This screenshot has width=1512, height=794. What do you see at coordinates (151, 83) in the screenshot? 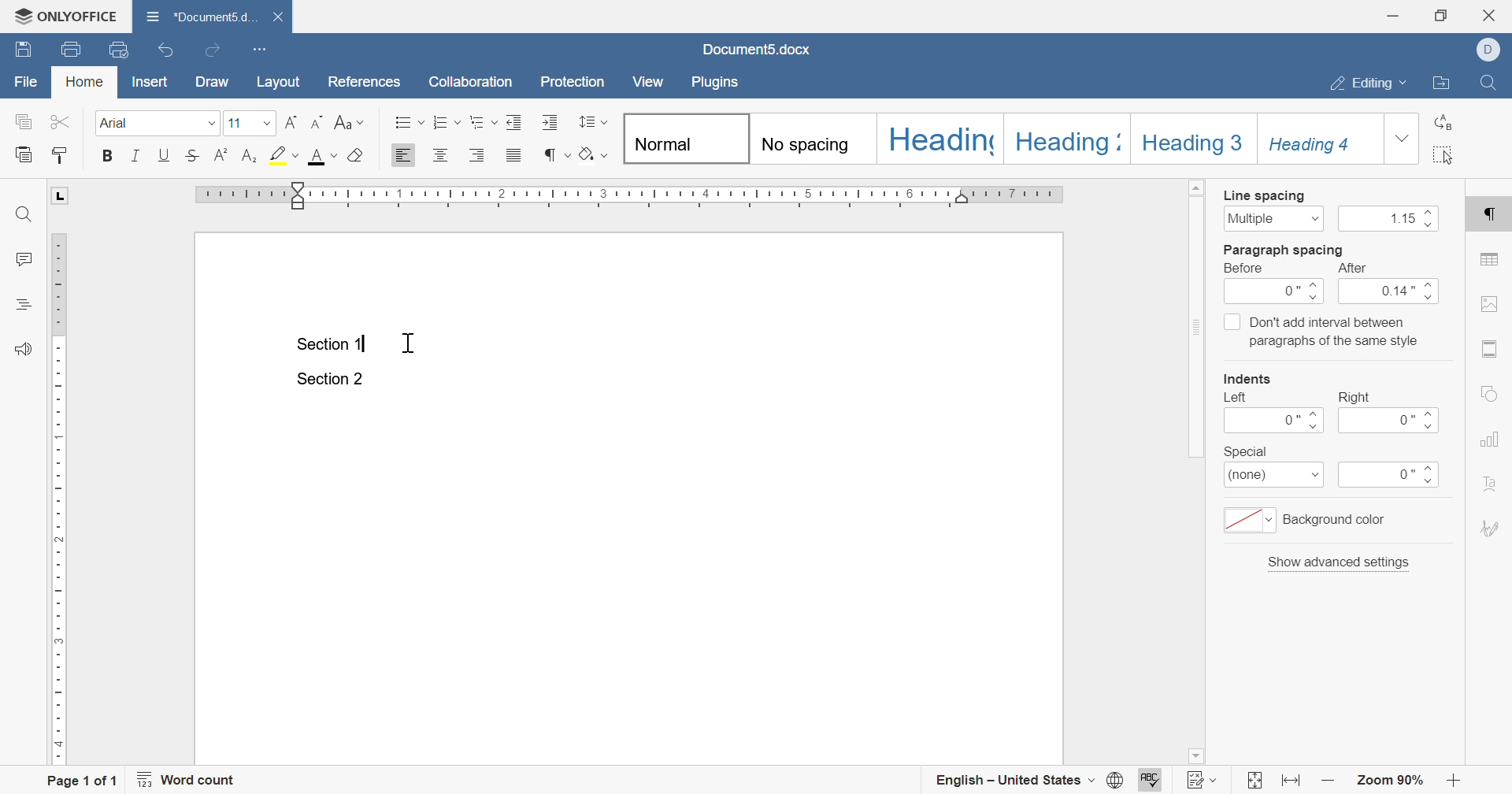
I see `insert` at bounding box center [151, 83].